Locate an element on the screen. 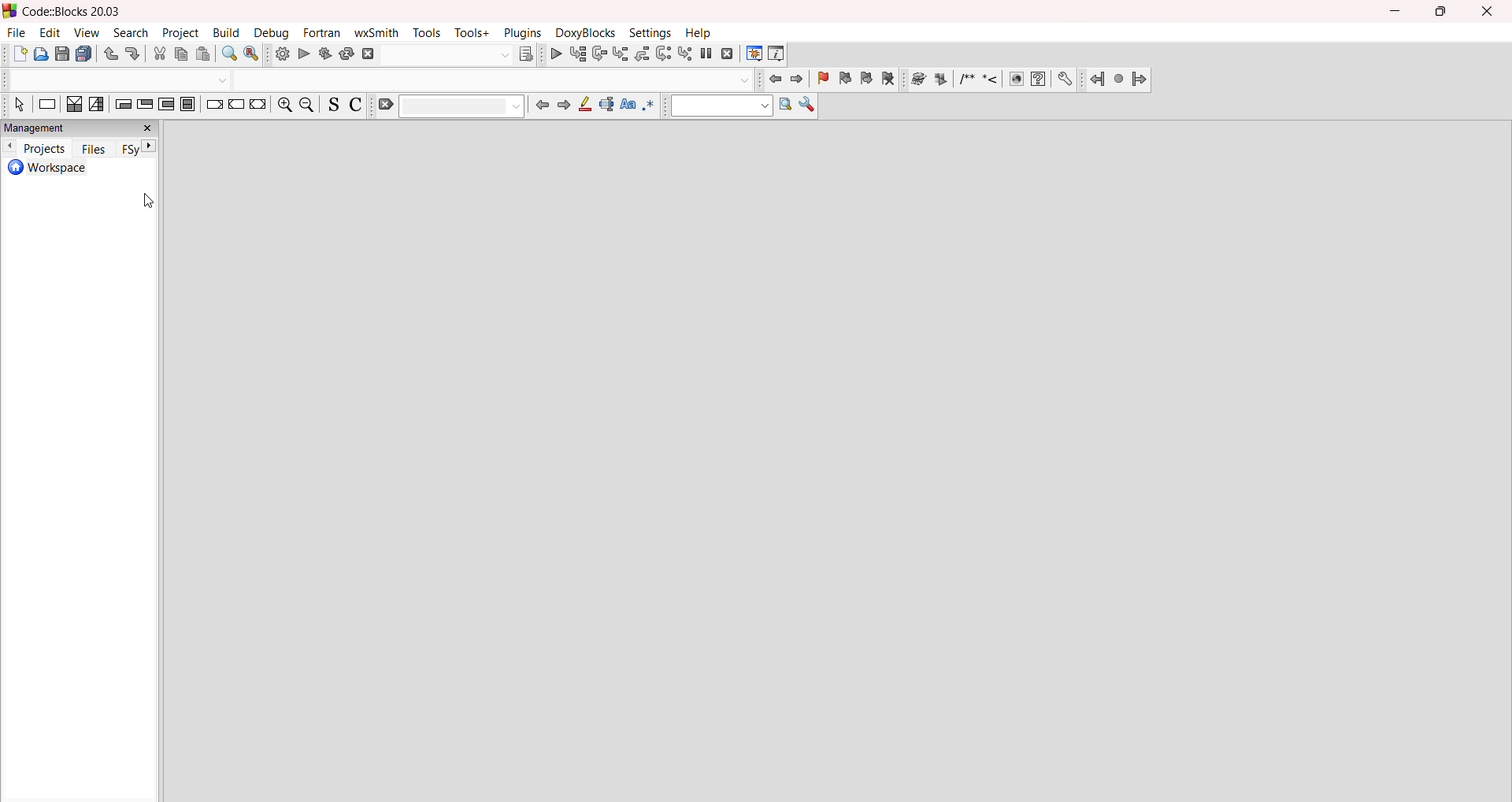  highlight is located at coordinates (587, 106).